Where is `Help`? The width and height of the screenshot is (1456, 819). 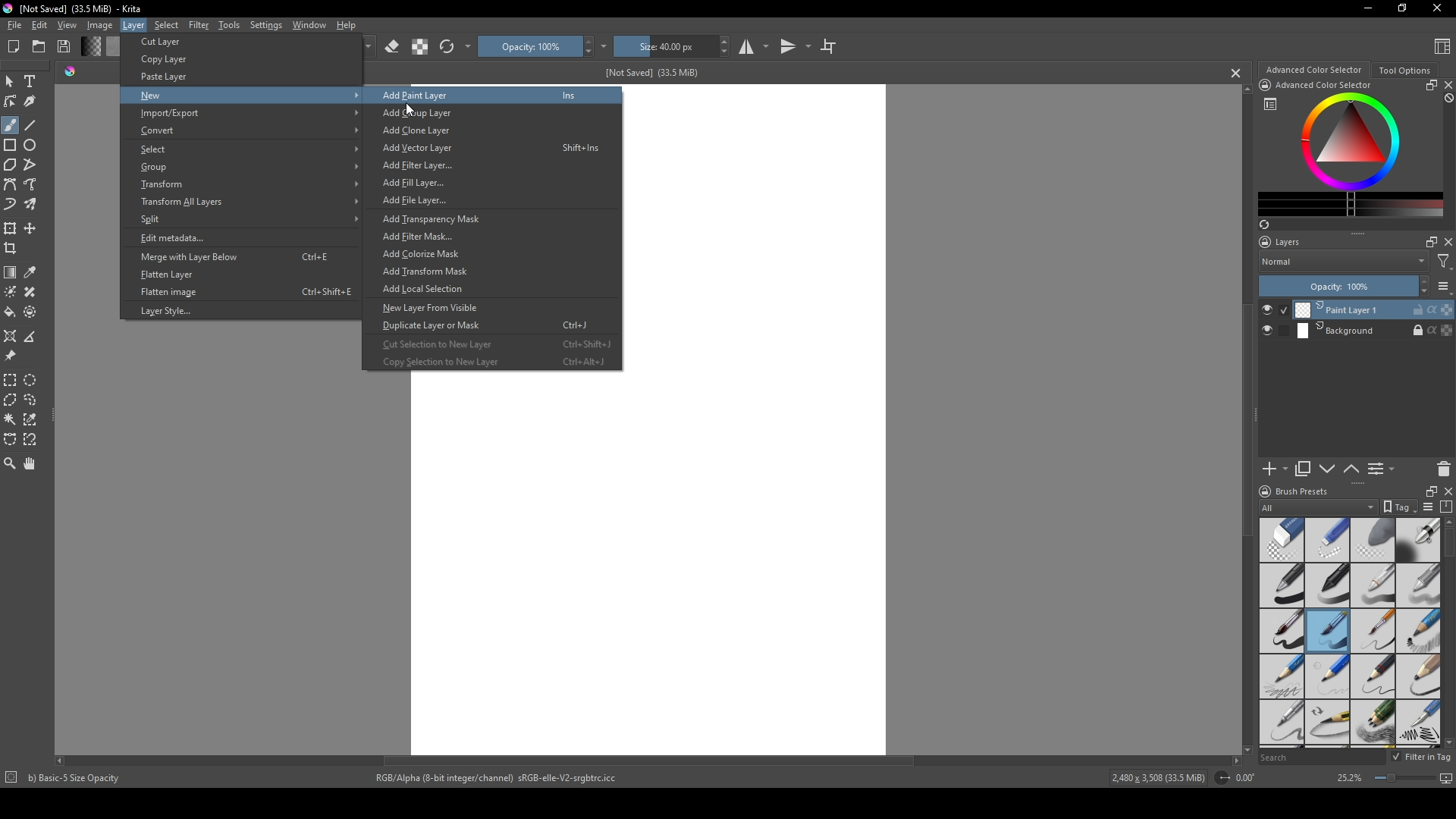 Help is located at coordinates (347, 24).